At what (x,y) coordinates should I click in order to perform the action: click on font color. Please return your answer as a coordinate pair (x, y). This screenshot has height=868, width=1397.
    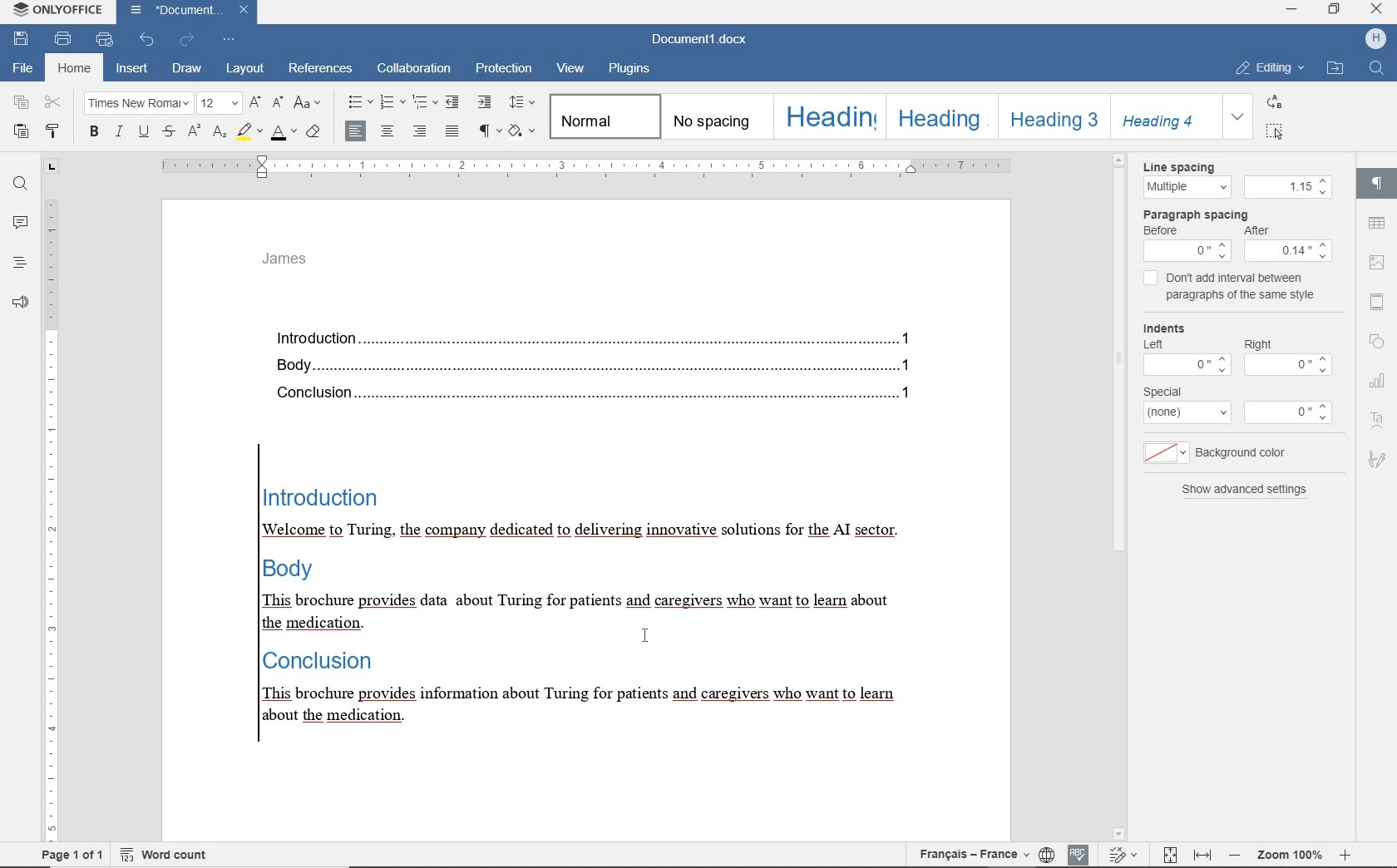
    Looking at the image, I should click on (284, 133).